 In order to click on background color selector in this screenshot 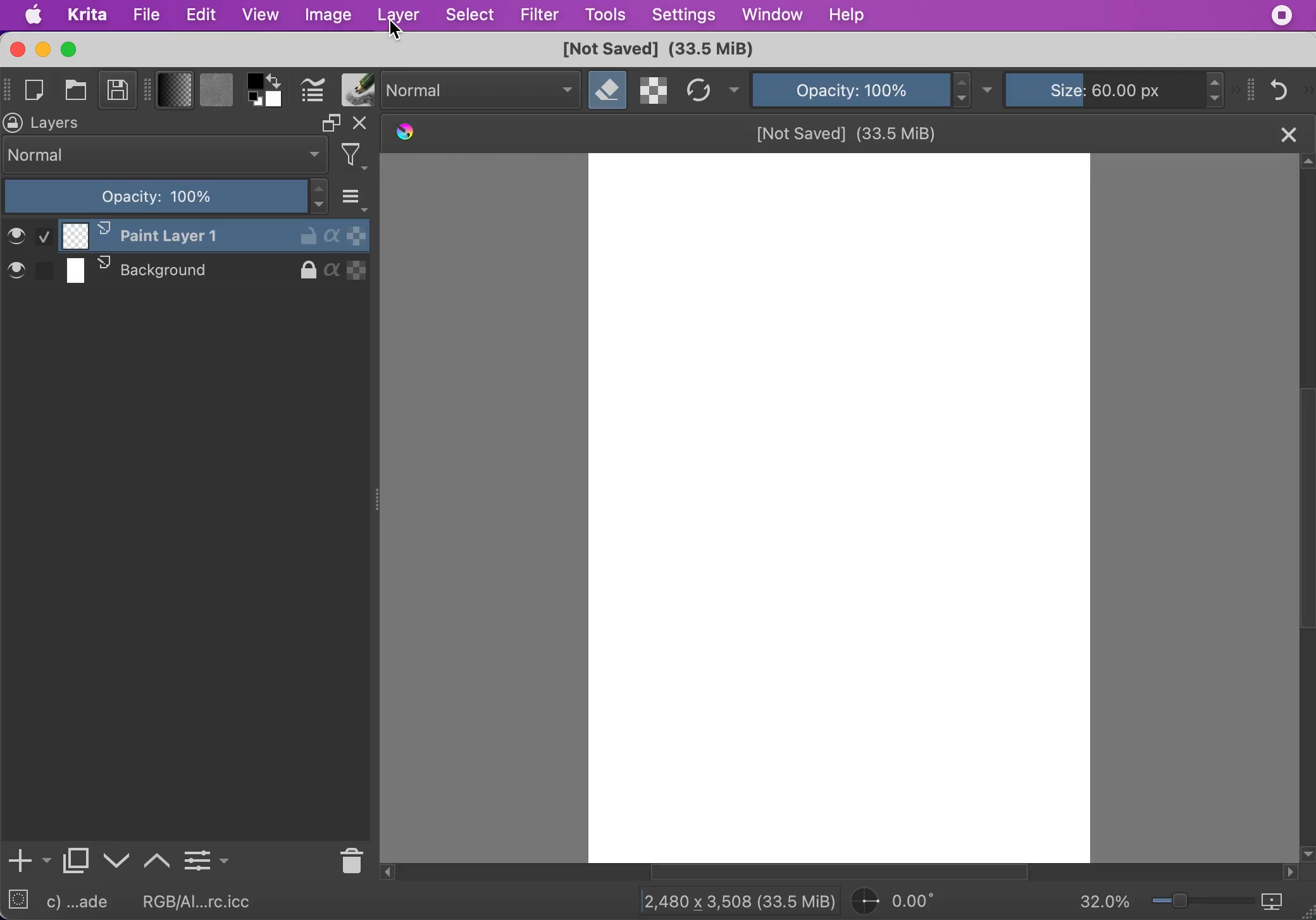, I will do `click(275, 101)`.